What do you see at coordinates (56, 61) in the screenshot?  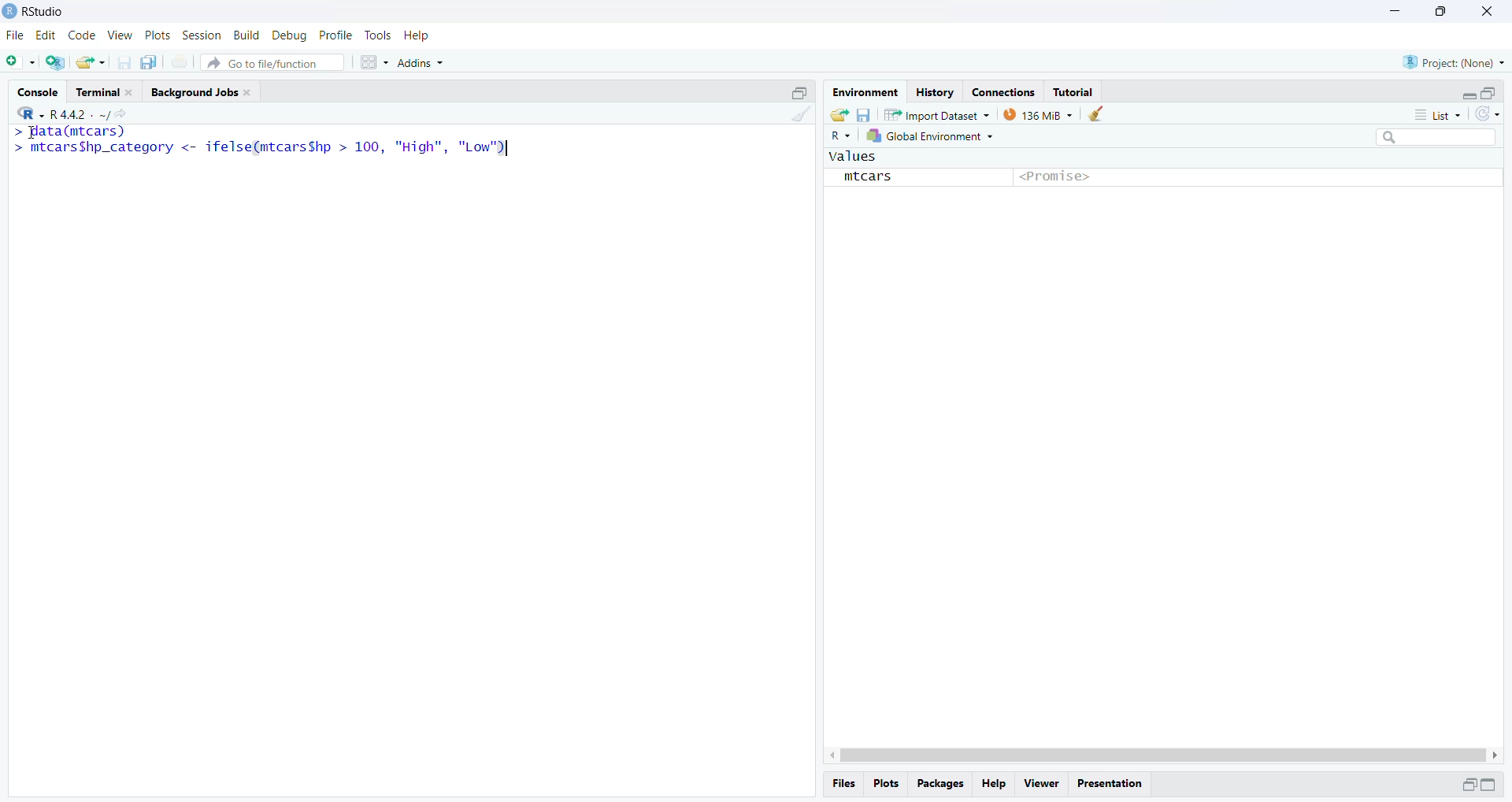 I see `Create a project` at bounding box center [56, 61].